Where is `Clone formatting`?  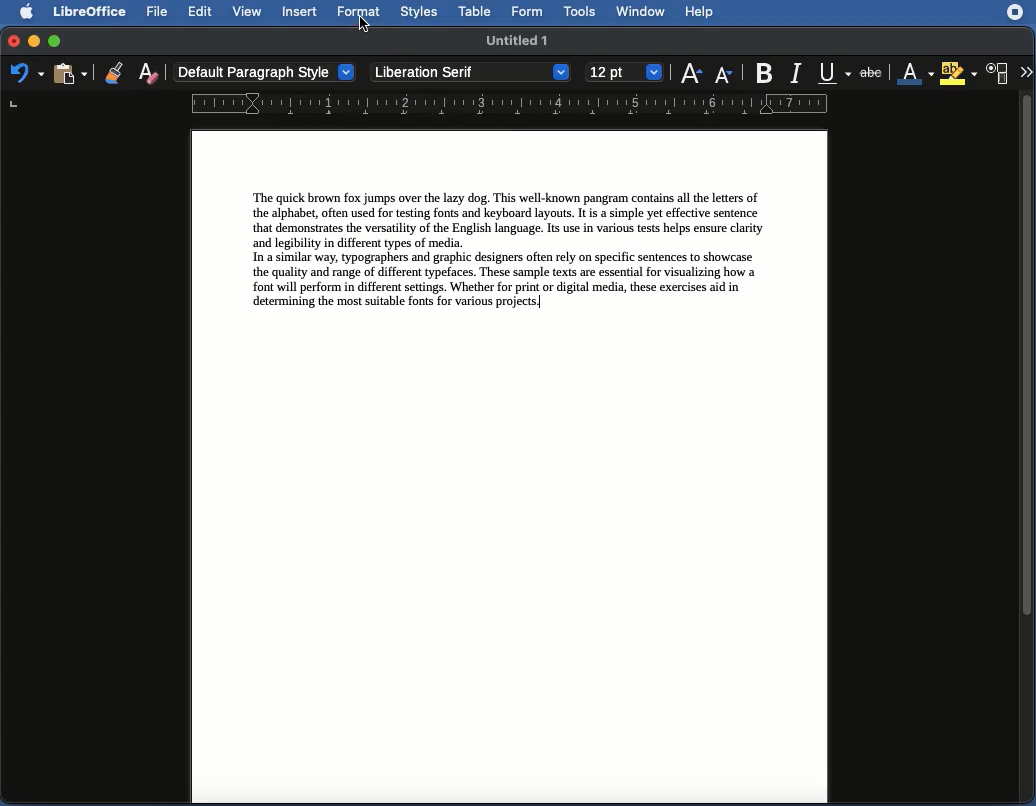 Clone formatting is located at coordinates (115, 72).